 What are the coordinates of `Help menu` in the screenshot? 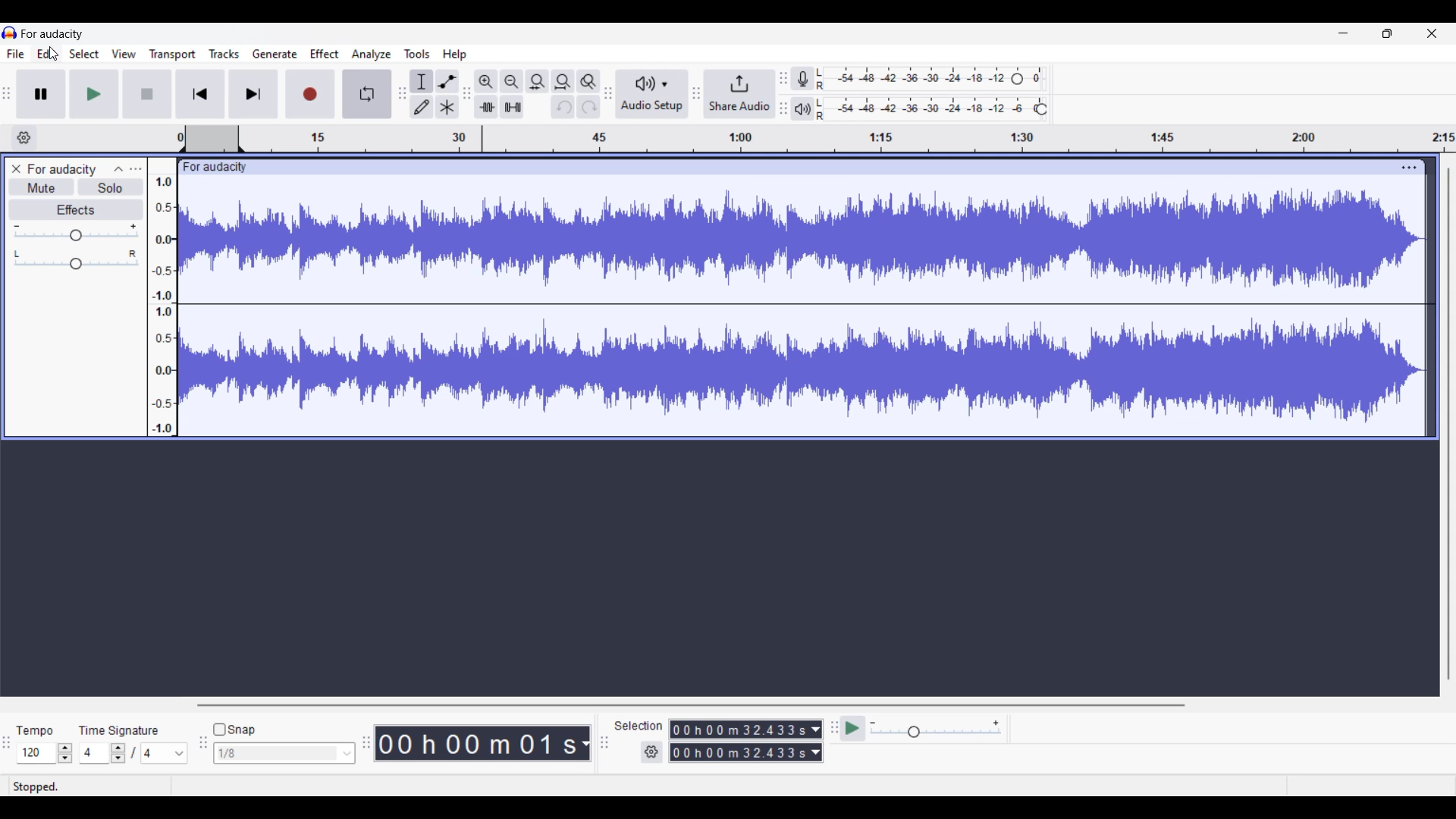 It's located at (455, 55).